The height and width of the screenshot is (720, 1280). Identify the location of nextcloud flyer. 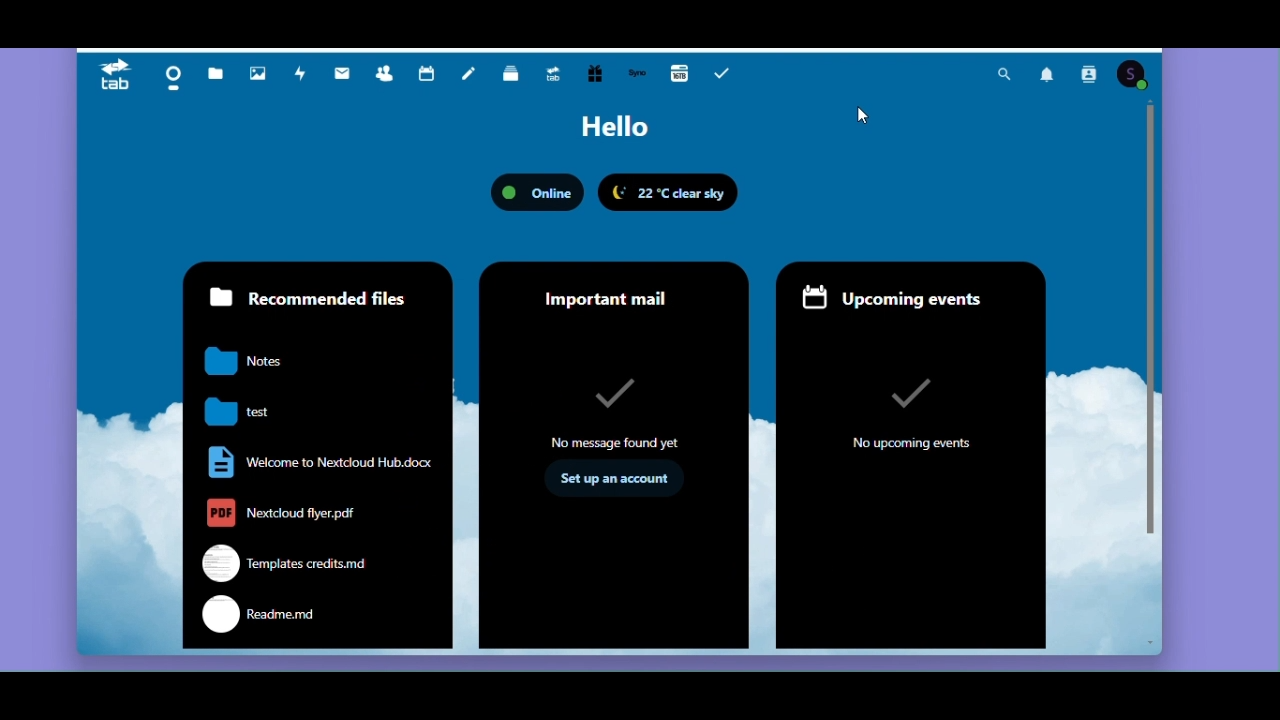
(291, 512).